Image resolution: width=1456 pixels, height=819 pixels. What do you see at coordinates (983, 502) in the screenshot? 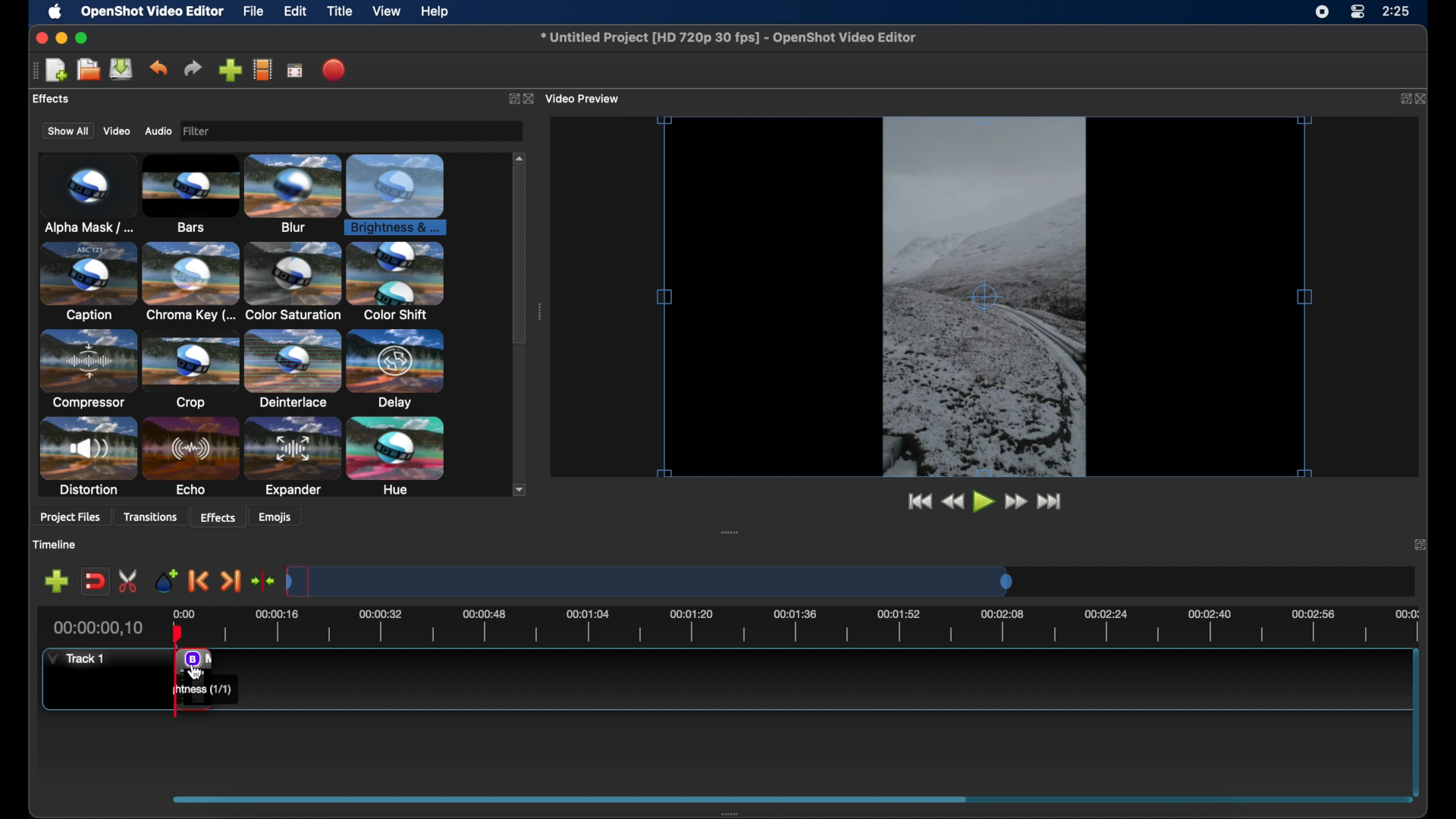
I see `play button` at bounding box center [983, 502].